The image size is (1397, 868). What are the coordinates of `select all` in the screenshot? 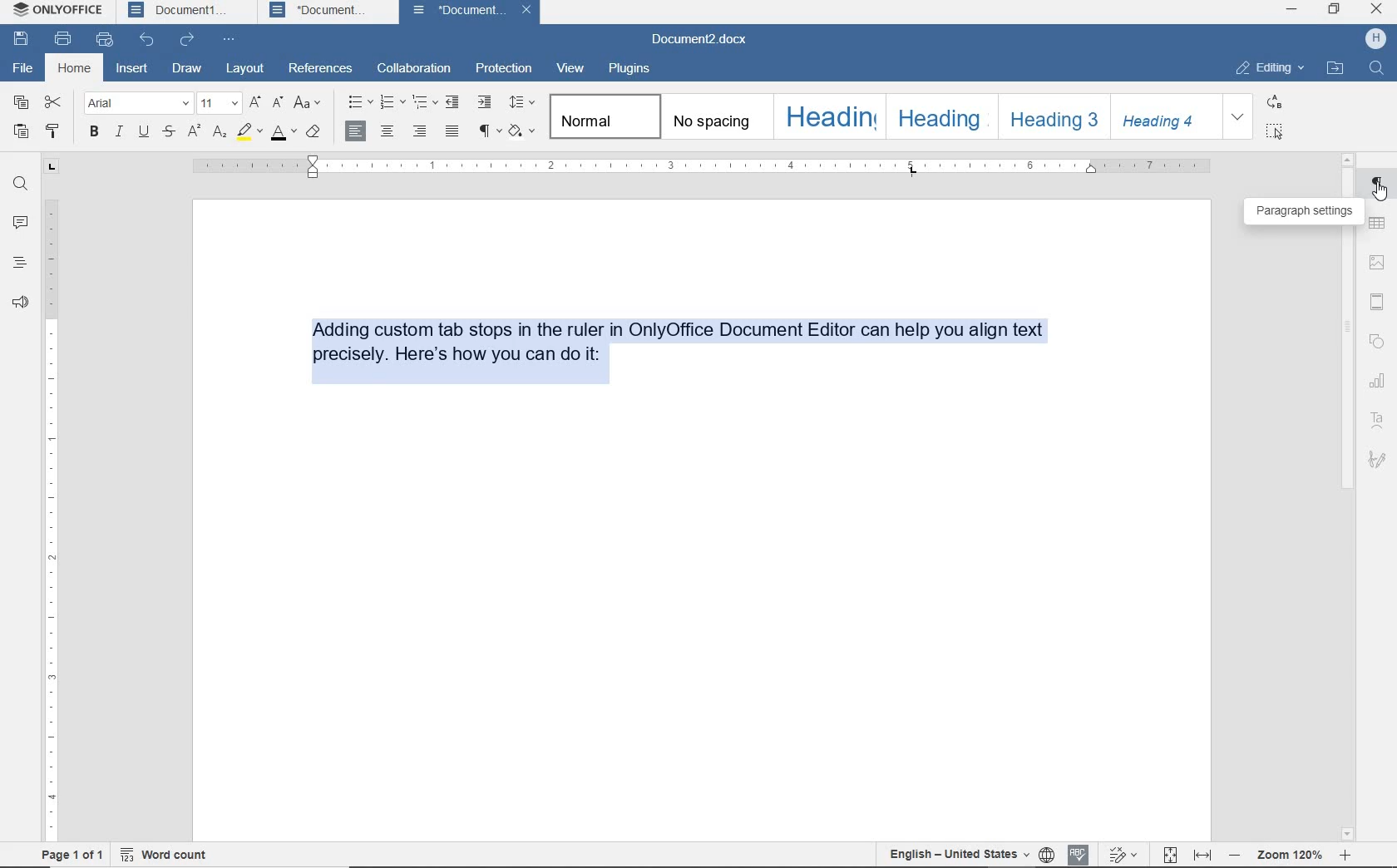 It's located at (1277, 133).